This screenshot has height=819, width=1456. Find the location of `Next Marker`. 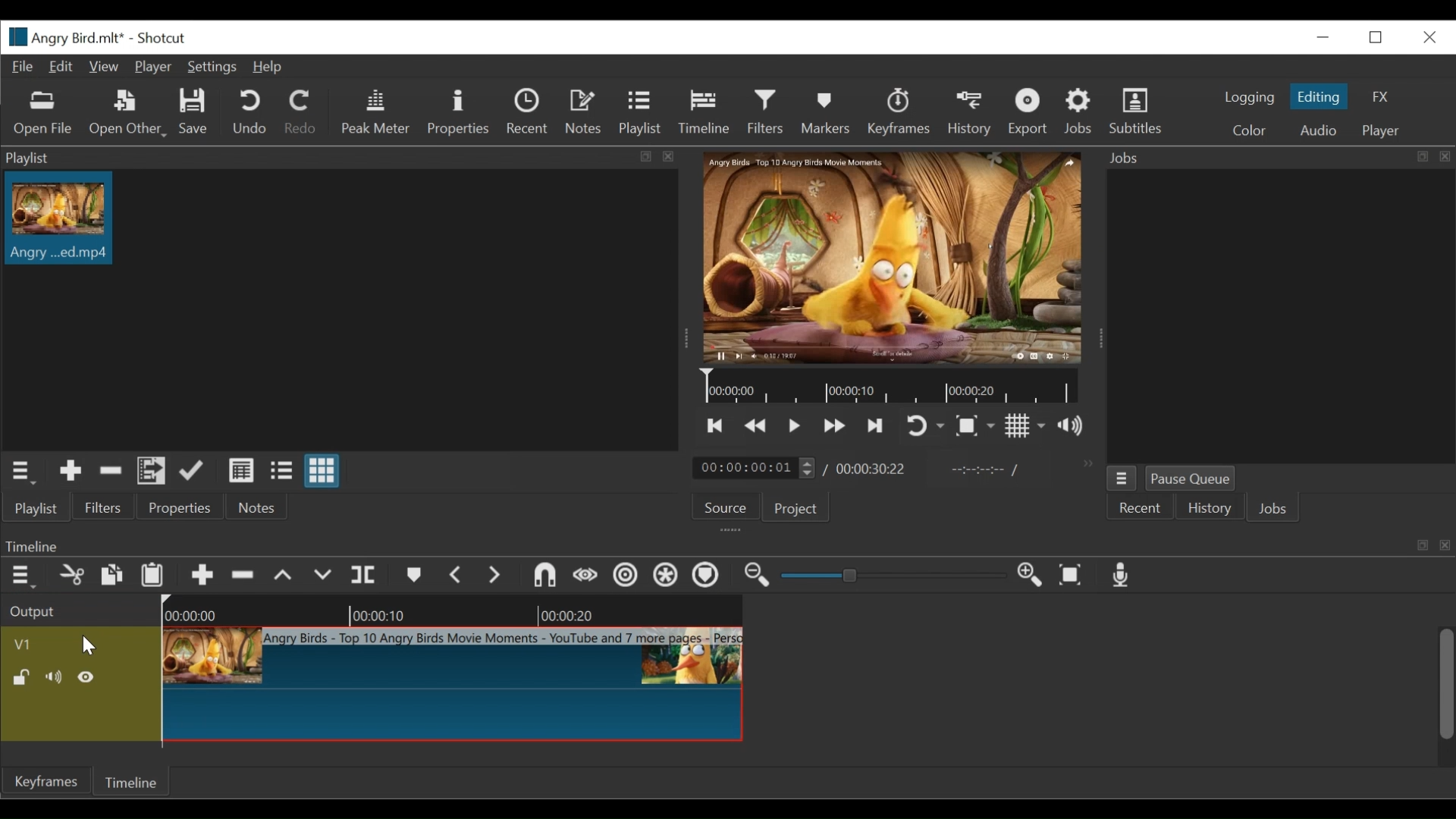

Next Marker is located at coordinates (494, 576).